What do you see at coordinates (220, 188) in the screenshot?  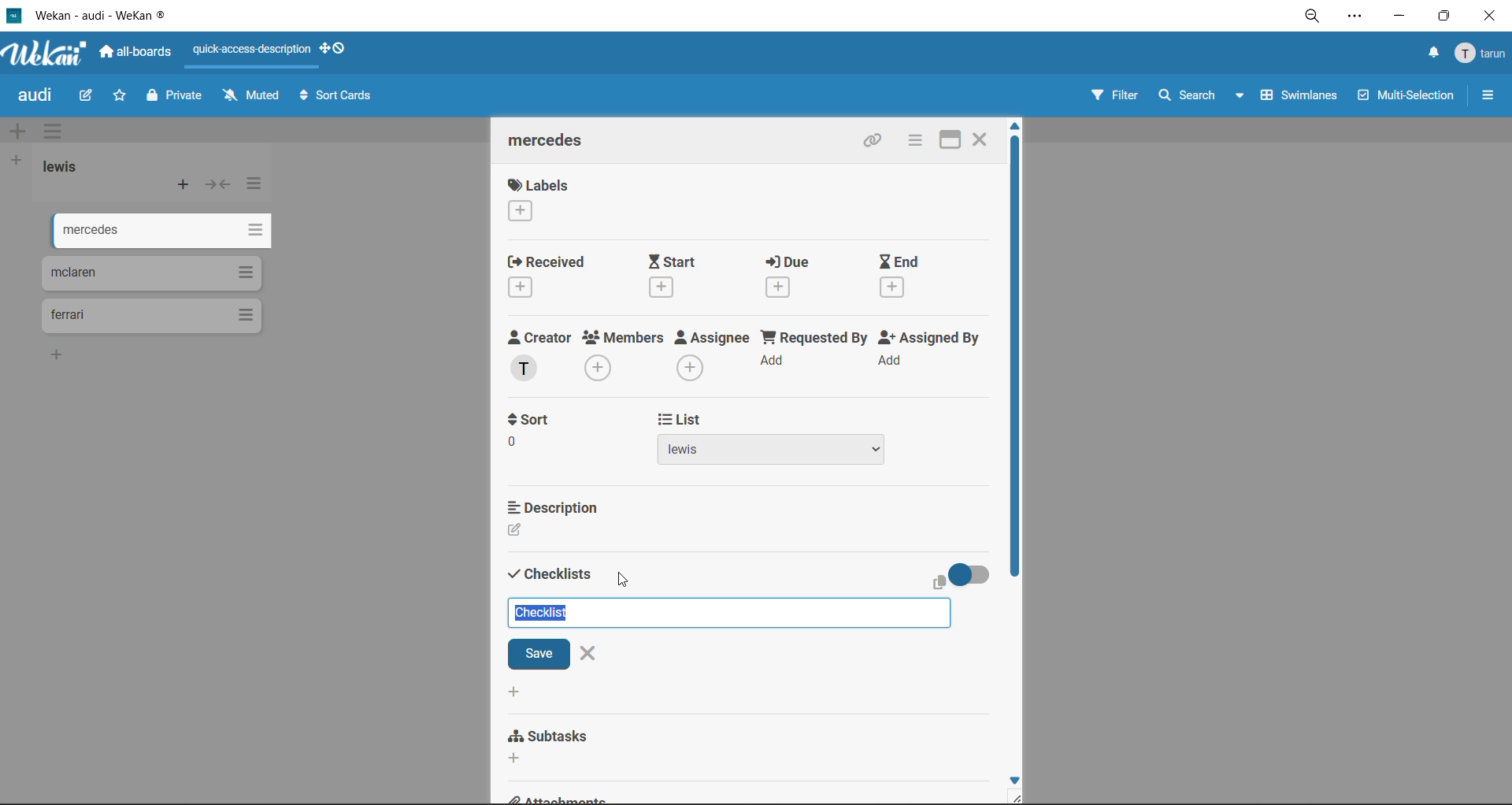 I see `collapse` at bounding box center [220, 188].